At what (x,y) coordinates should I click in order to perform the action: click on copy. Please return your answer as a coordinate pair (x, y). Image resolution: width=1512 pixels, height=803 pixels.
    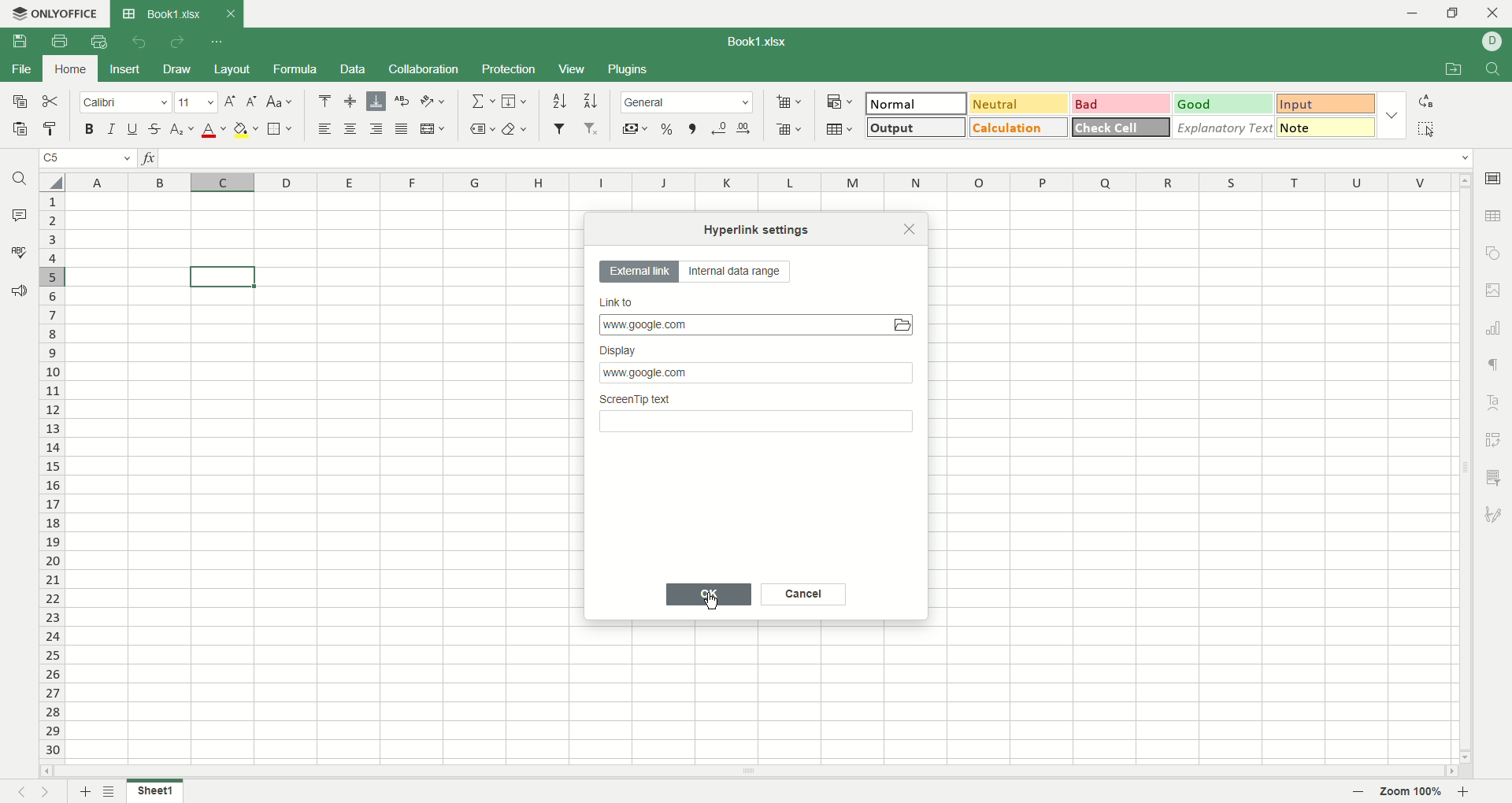
    Looking at the image, I should click on (18, 105).